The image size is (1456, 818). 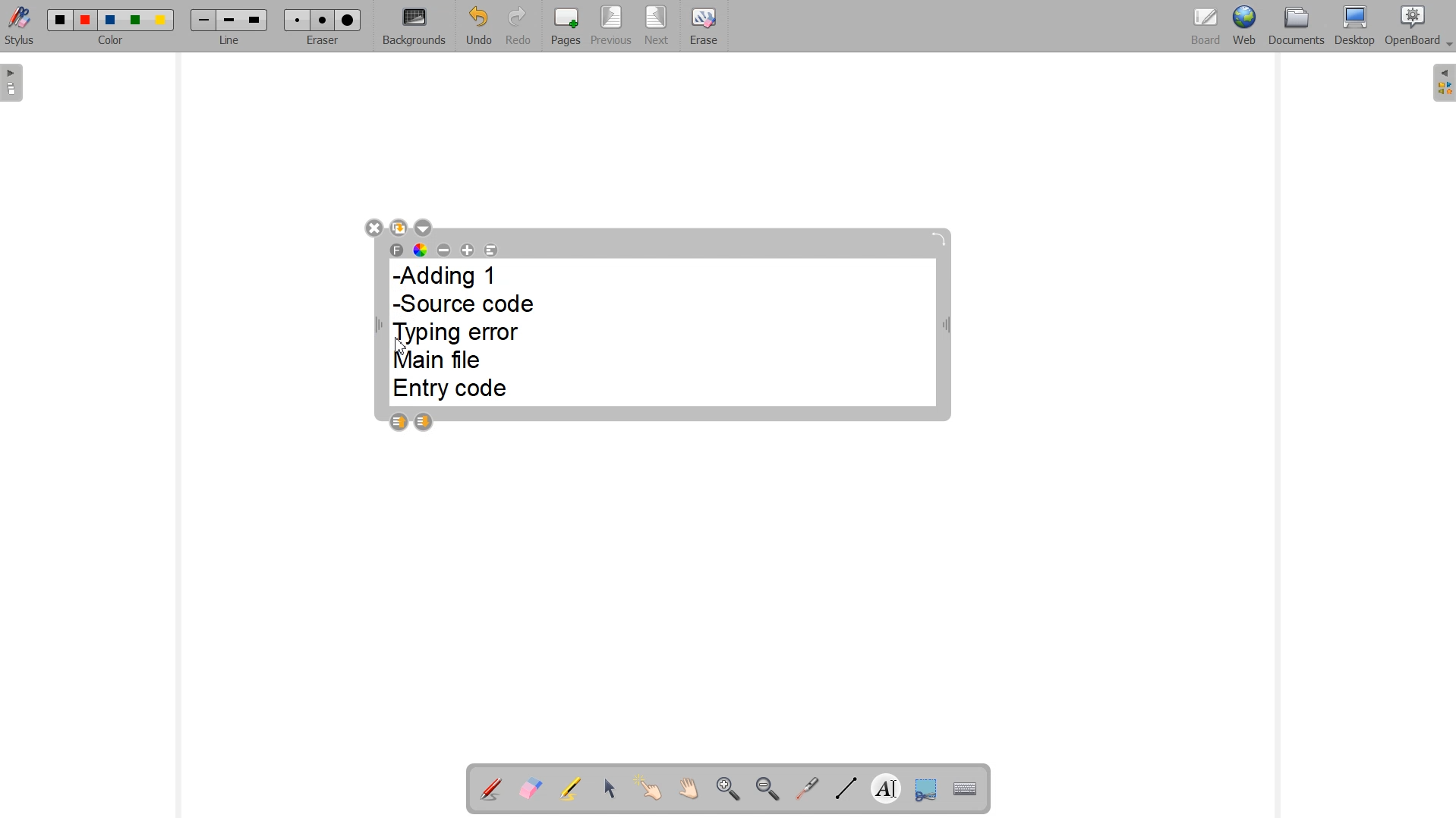 What do you see at coordinates (1244, 27) in the screenshot?
I see `Web` at bounding box center [1244, 27].